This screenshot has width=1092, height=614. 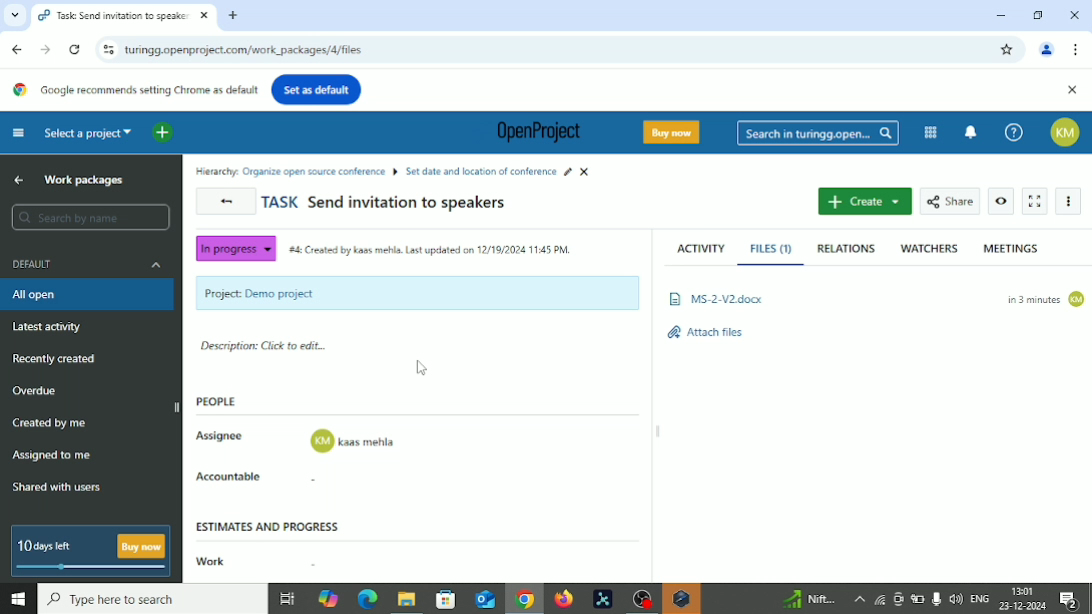 What do you see at coordinates (1072, 202) in the screenshot?
I see `More` at bounding box center [1072, 202].